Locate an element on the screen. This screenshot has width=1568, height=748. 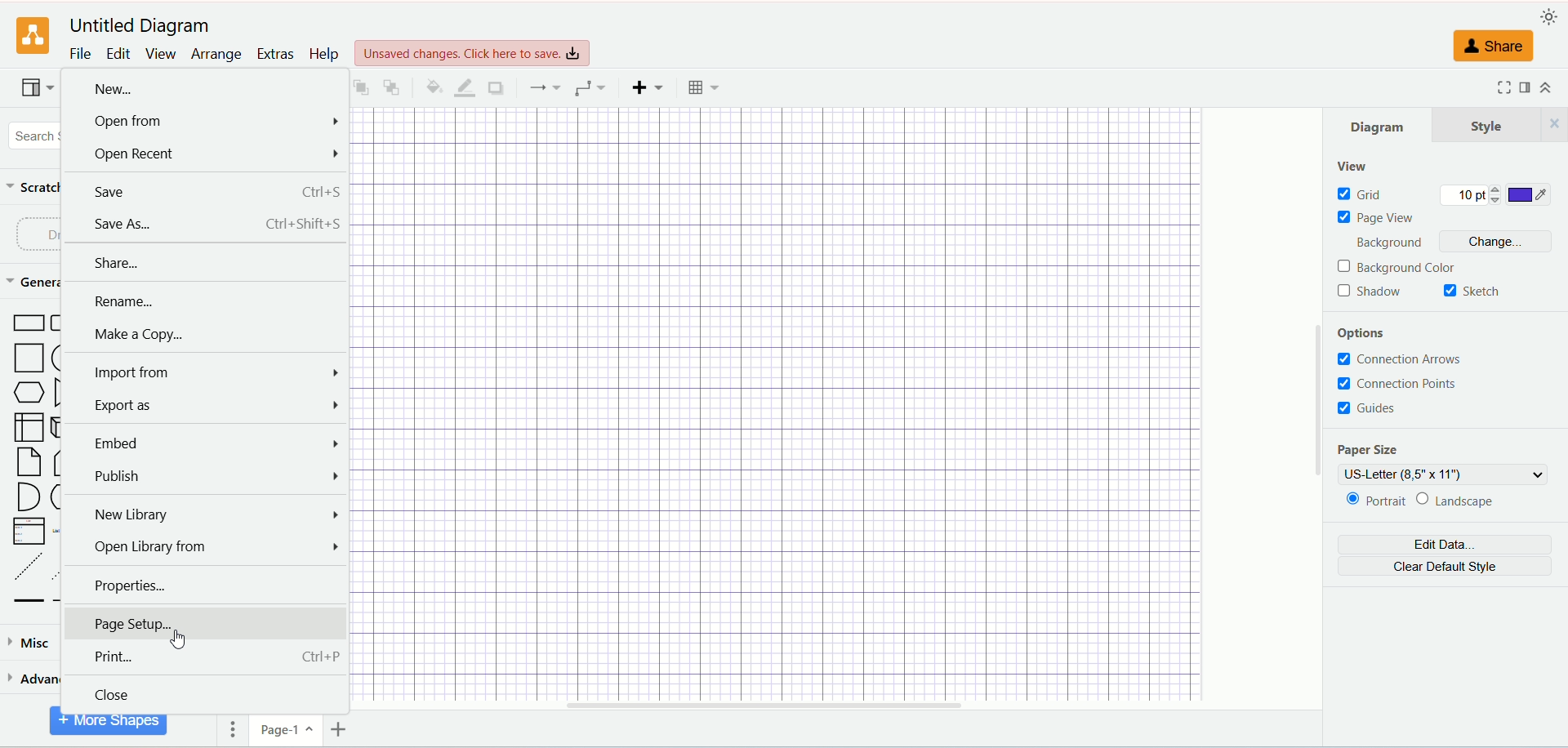
connection arrows is located at coordinates (1405, 360).